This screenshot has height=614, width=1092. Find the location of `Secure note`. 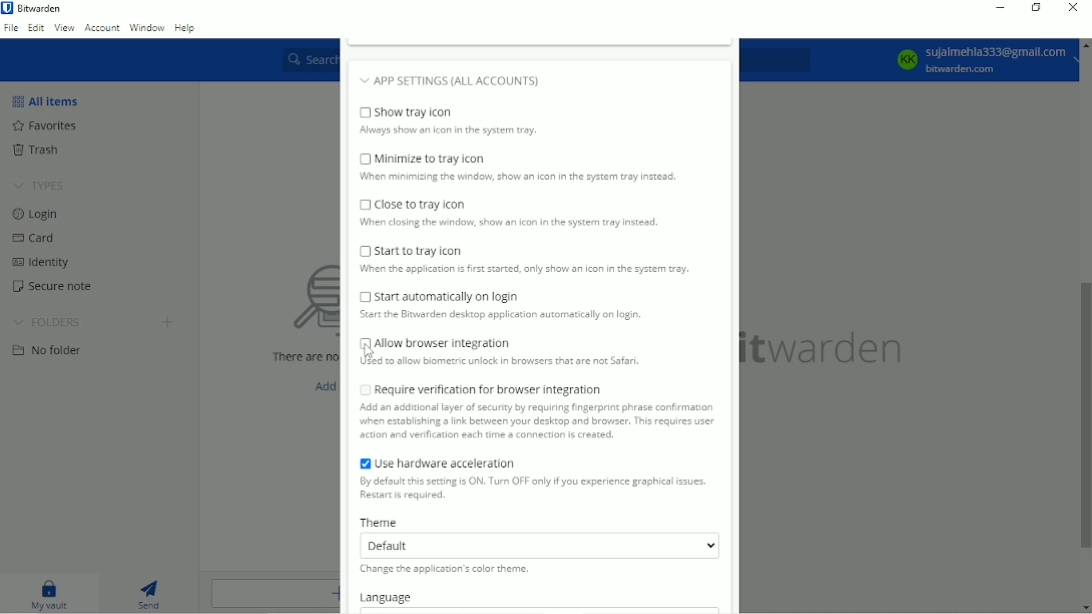

Secure note is located at coordinates (53, 287).